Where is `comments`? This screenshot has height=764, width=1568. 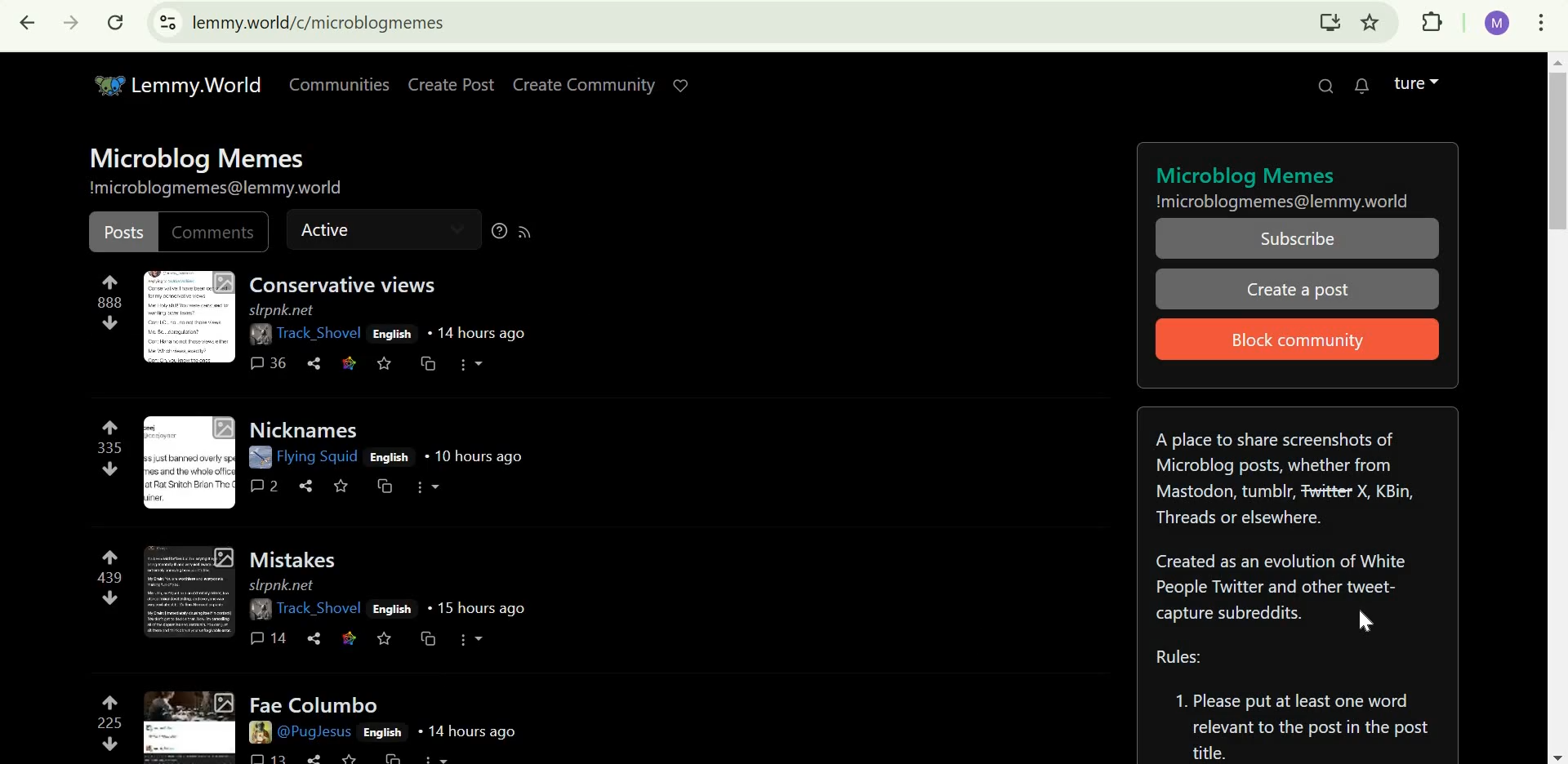 comments is located at coordinates (269, 757).